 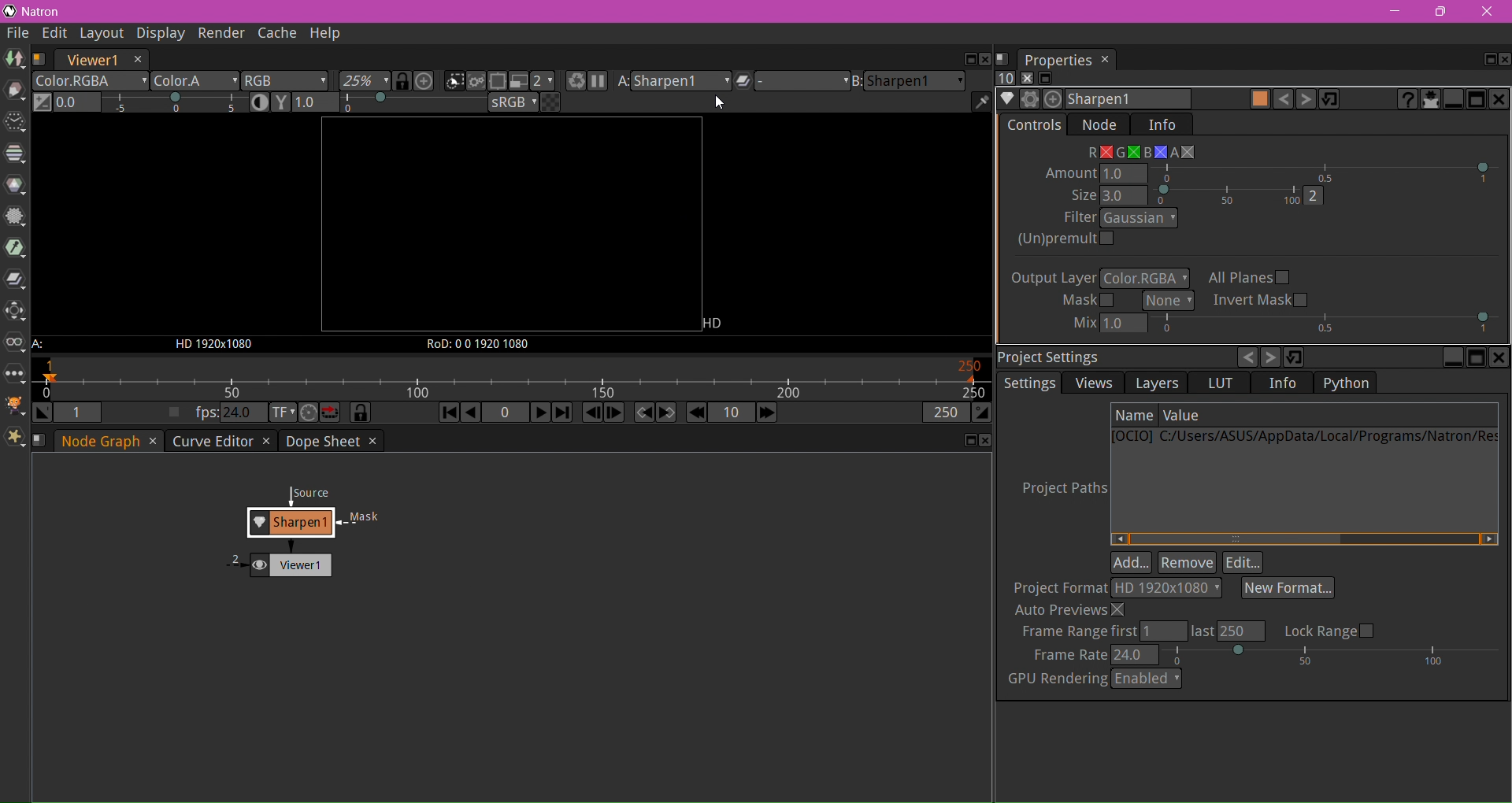 I want to click on Display, so click(x=157, y=33).